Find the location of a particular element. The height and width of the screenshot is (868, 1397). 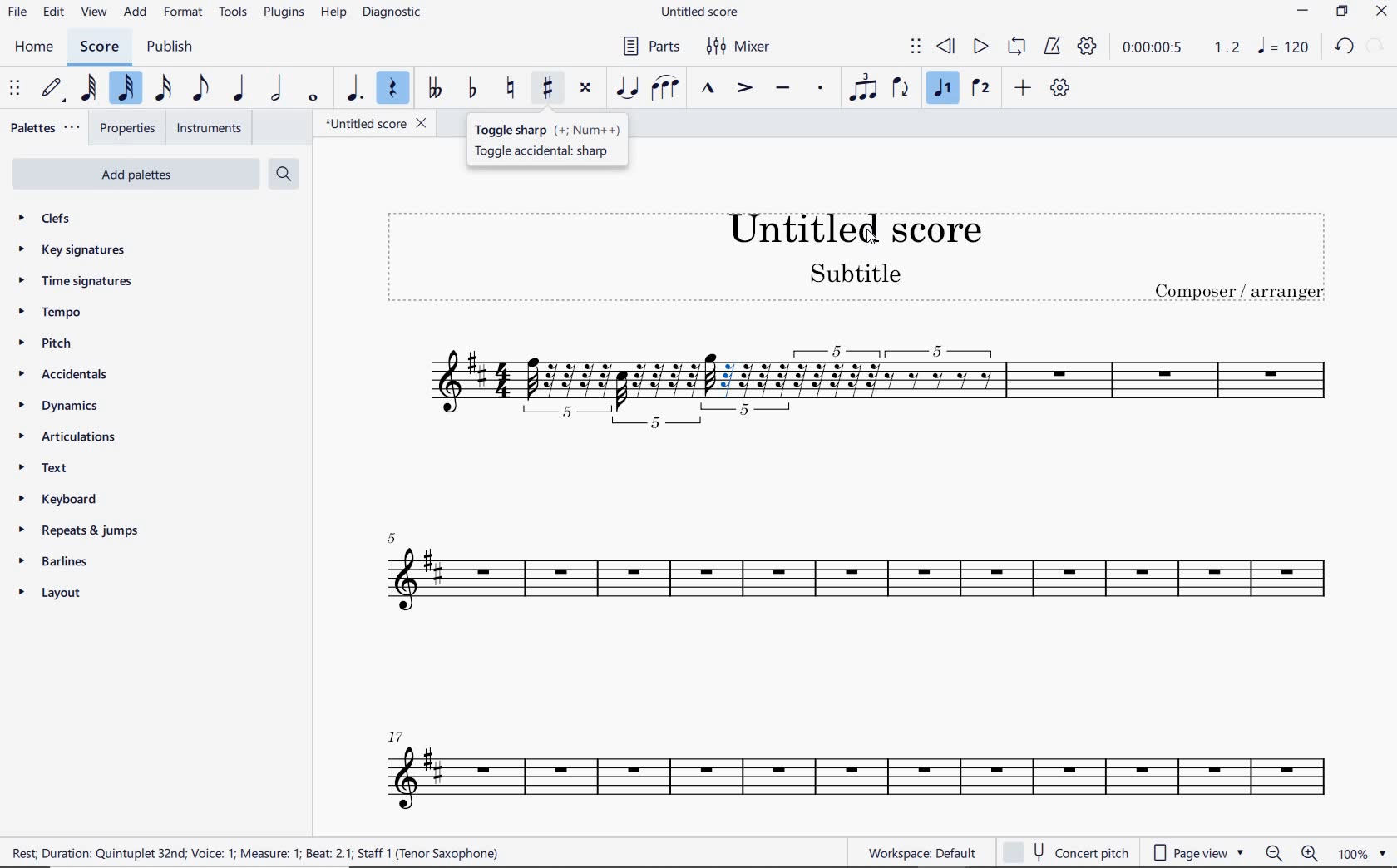

FILE is located at coordinates (16, 12).